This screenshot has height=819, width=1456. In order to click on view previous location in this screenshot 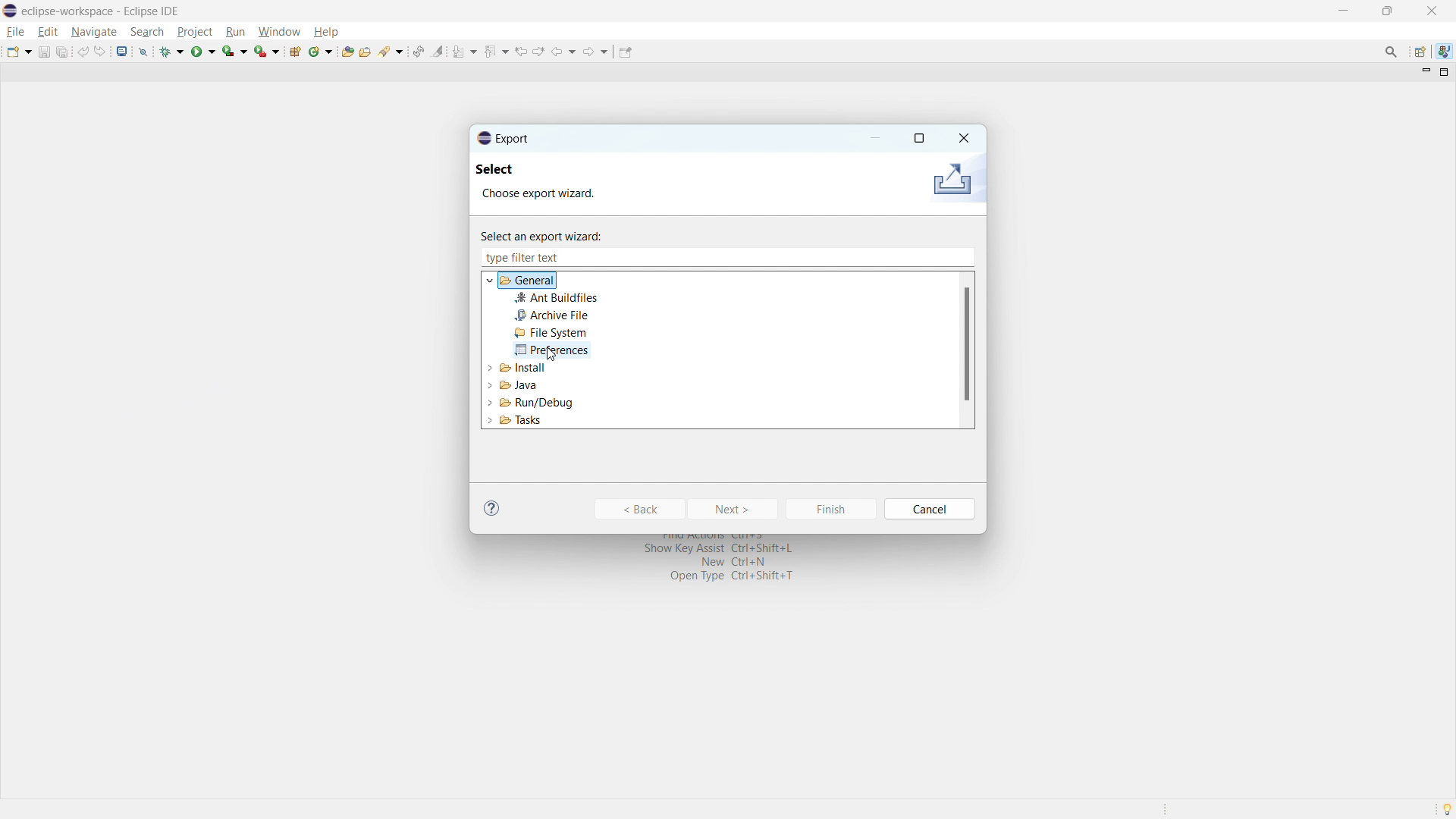, I will do `click(521, 52)`.